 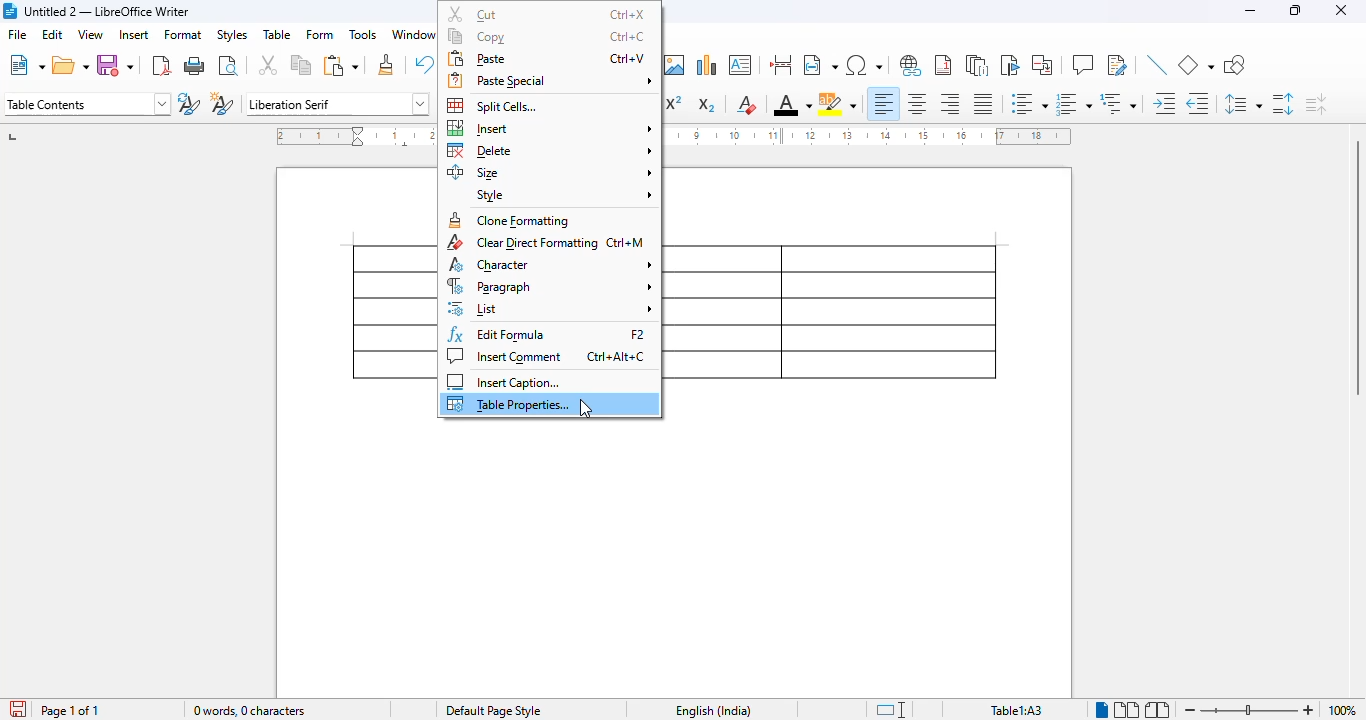 I want to click on character, so click(x=551, y=265).